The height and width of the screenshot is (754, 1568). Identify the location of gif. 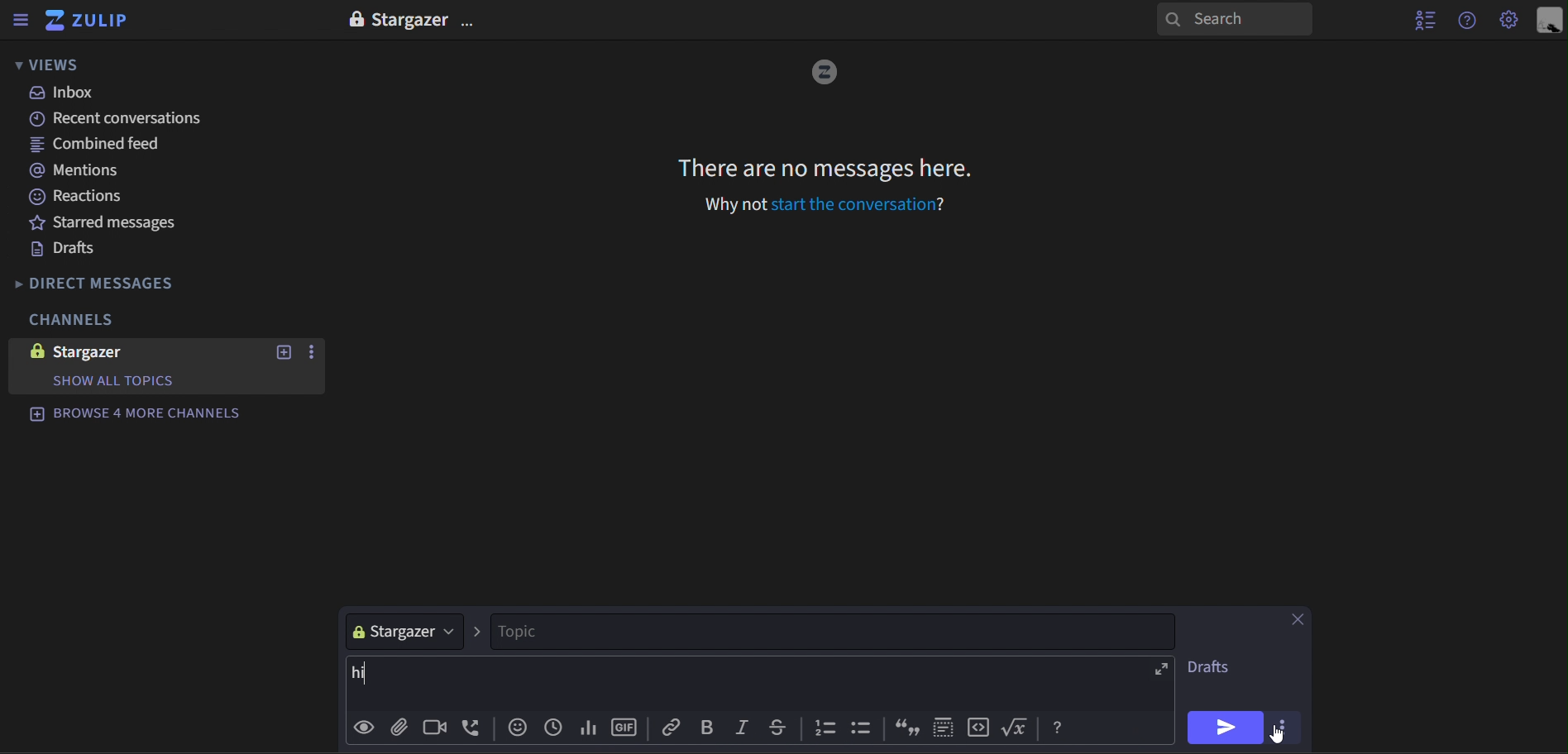
(630, 728).